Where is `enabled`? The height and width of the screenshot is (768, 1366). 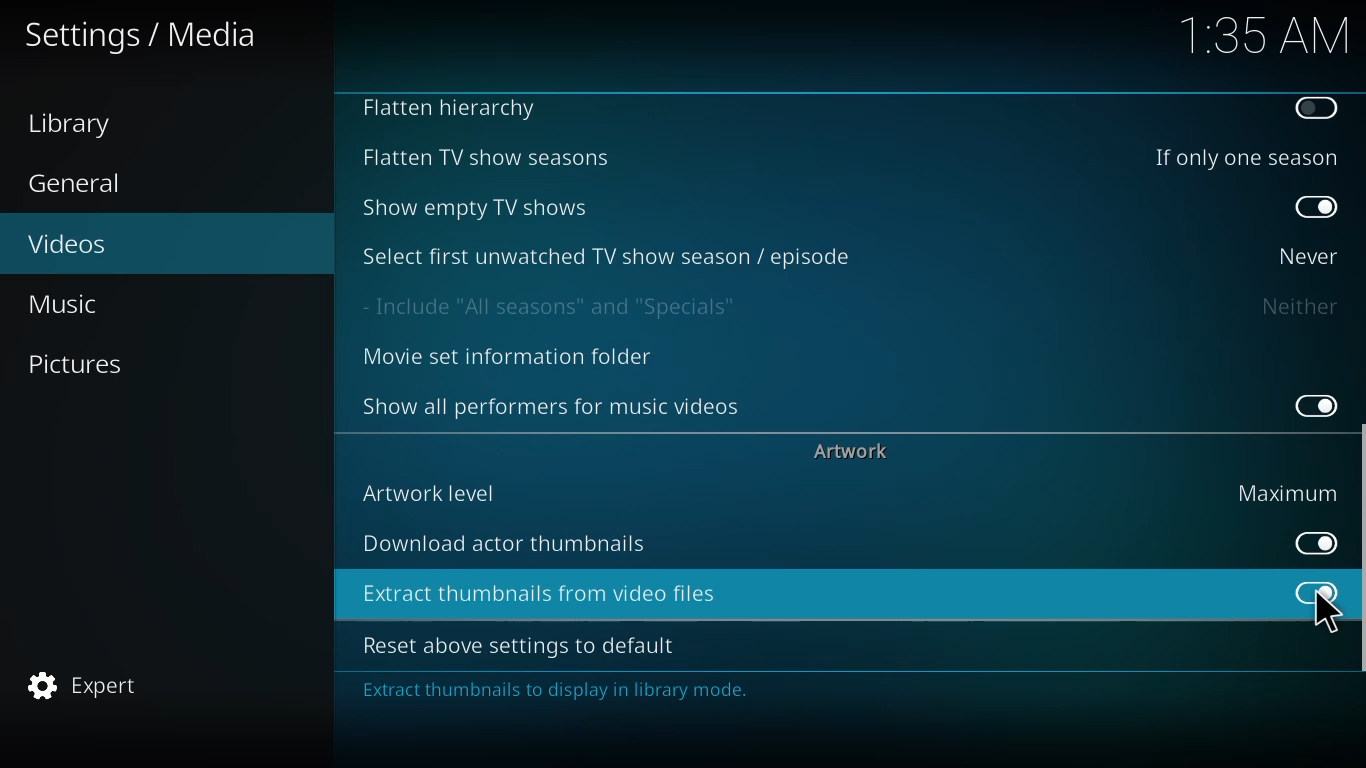
enabled is located at coordinates (1317, 208).